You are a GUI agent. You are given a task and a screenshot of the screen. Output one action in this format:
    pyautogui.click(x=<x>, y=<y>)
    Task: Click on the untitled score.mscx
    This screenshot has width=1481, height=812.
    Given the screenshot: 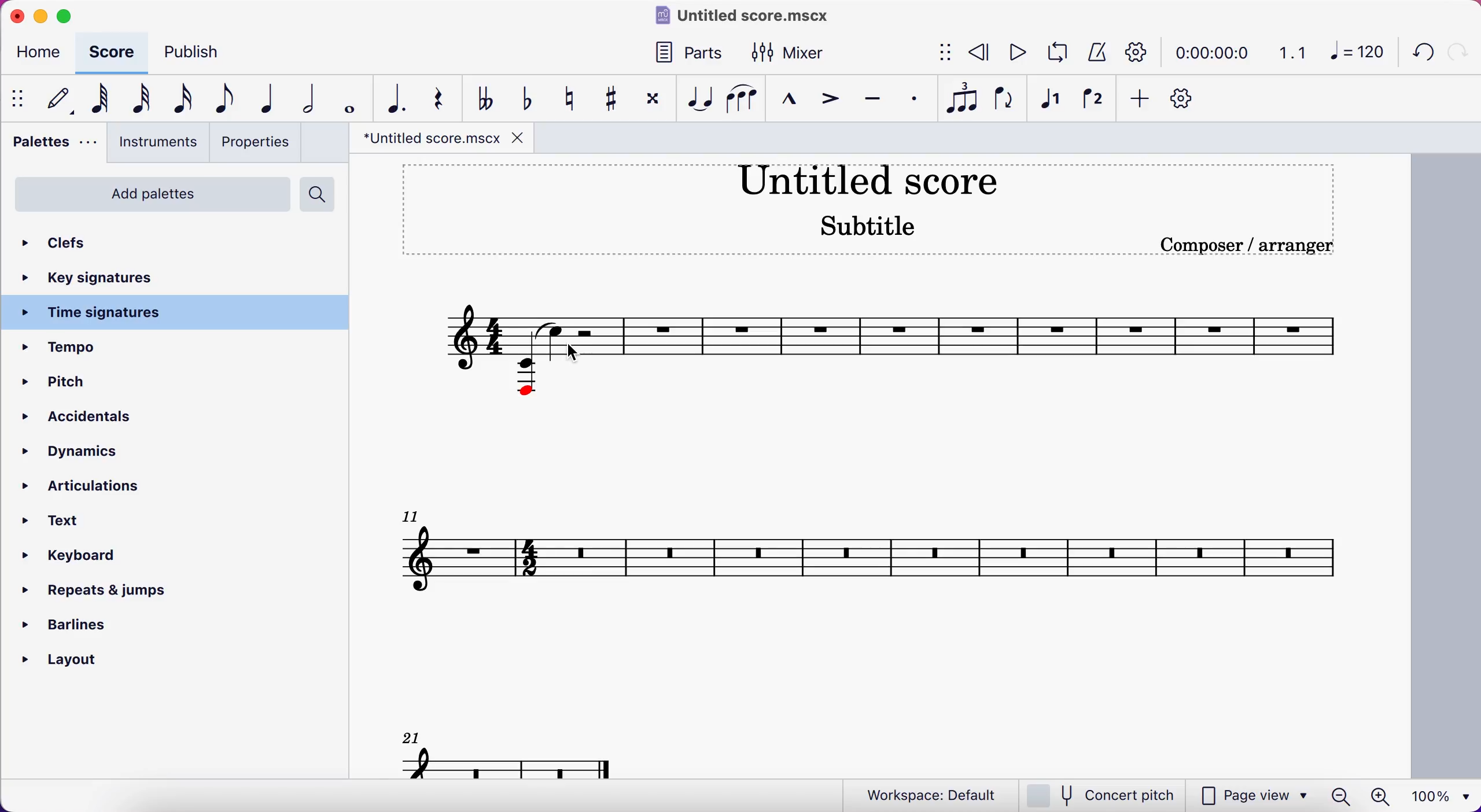 What is the action you would take?
    pyautogui.click(x=748, y=18)
    